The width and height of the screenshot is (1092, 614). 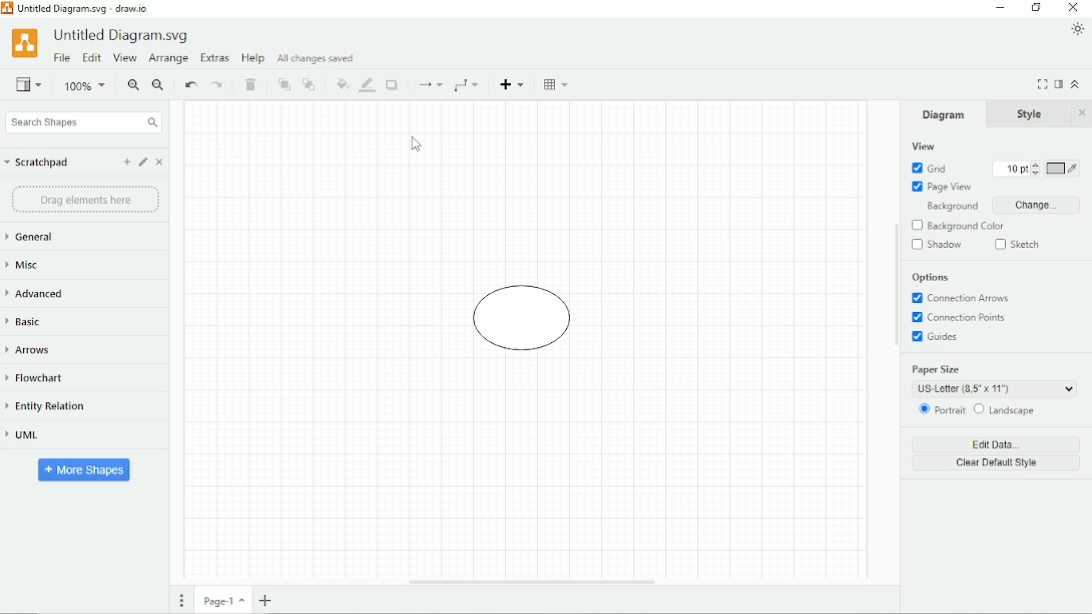 What do you see at coordinates (191, 84) in the screenshot?
I see `Undo` at bounding box center [191, 84].